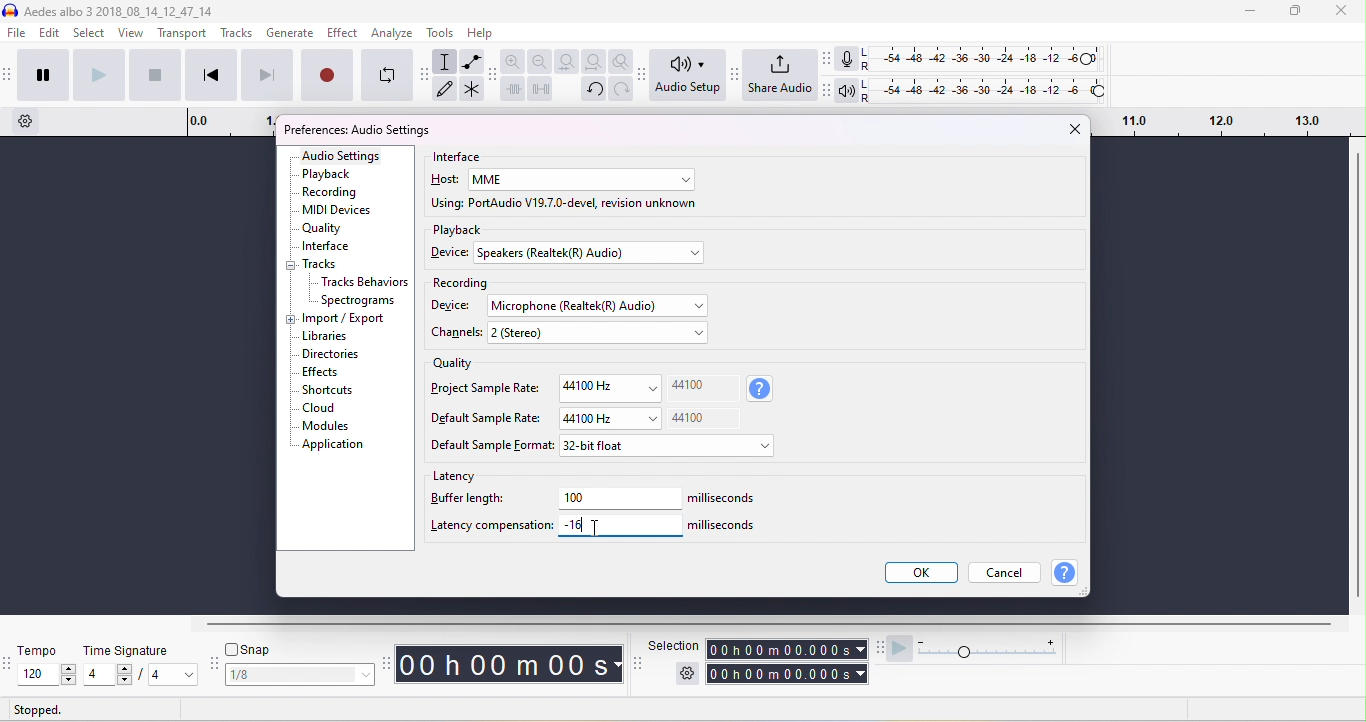 This screenshot has width=1366, height=722. Describe the element at coordinates (459, 284) in the screenshot. I see `recording` at that location.